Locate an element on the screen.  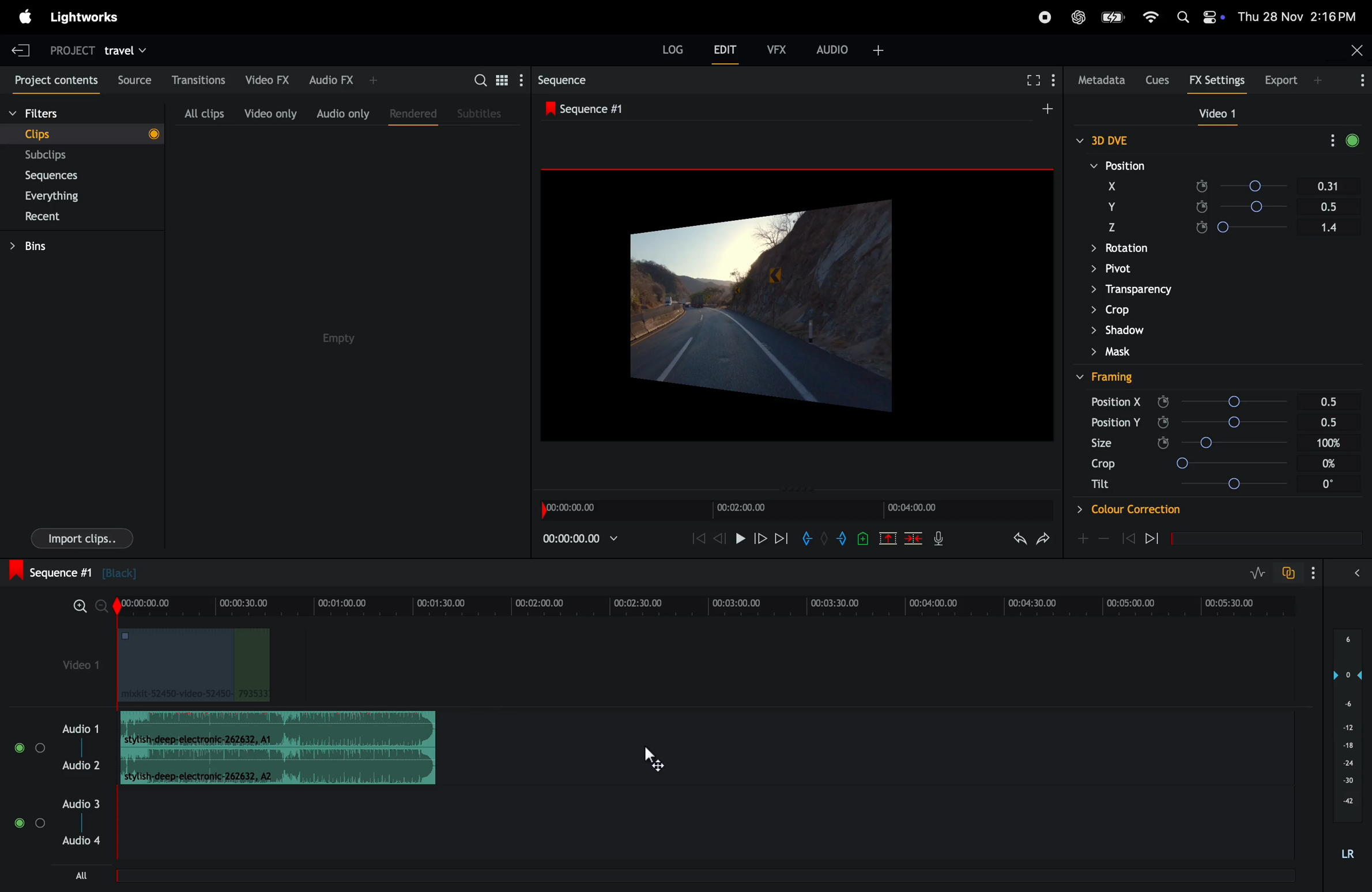
add sequence is located at coordinates (1046, 107).